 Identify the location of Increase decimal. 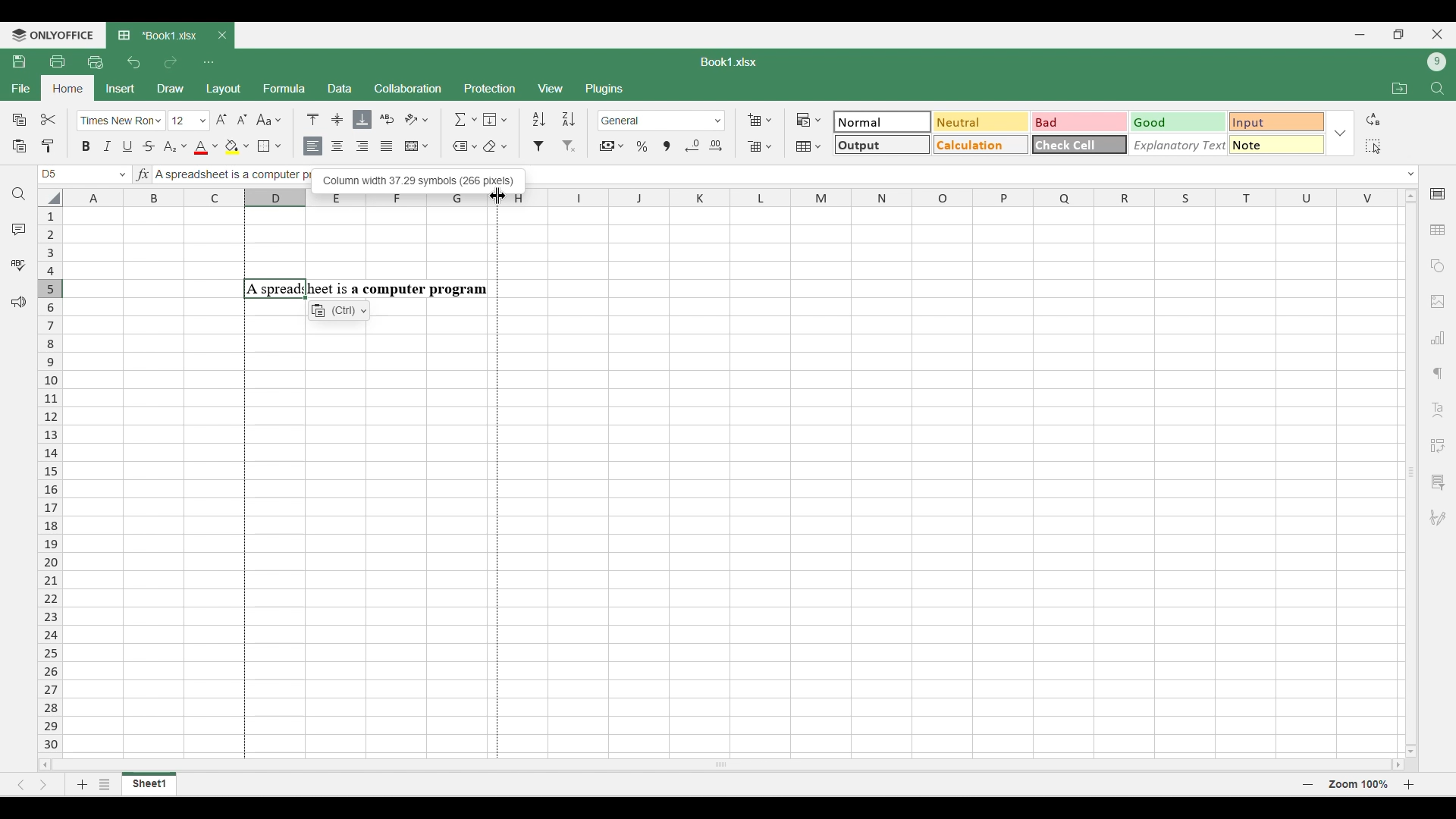
(715, 146).